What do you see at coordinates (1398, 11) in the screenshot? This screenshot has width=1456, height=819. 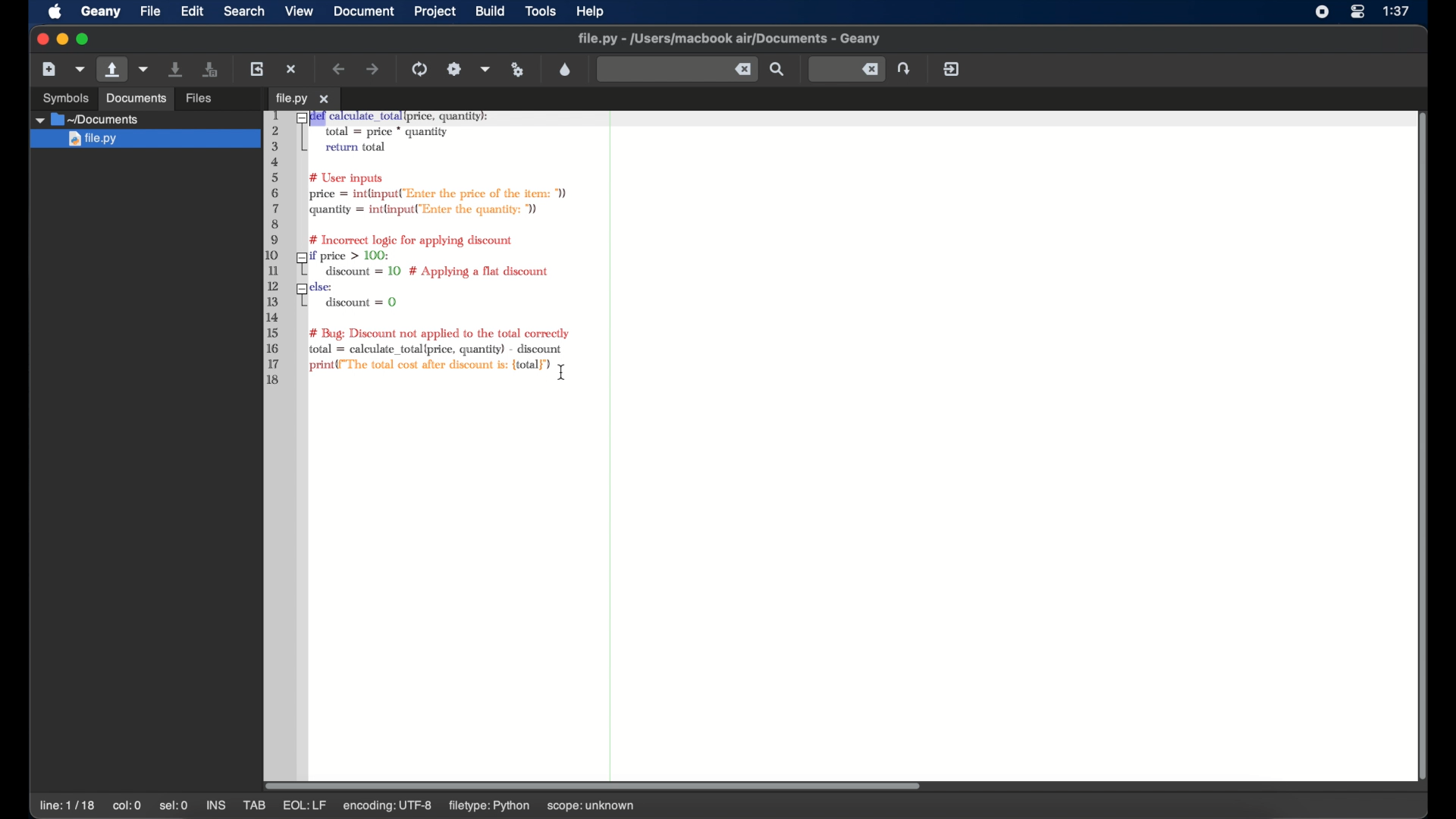 I see `time` at bounding box center [1398, 11].